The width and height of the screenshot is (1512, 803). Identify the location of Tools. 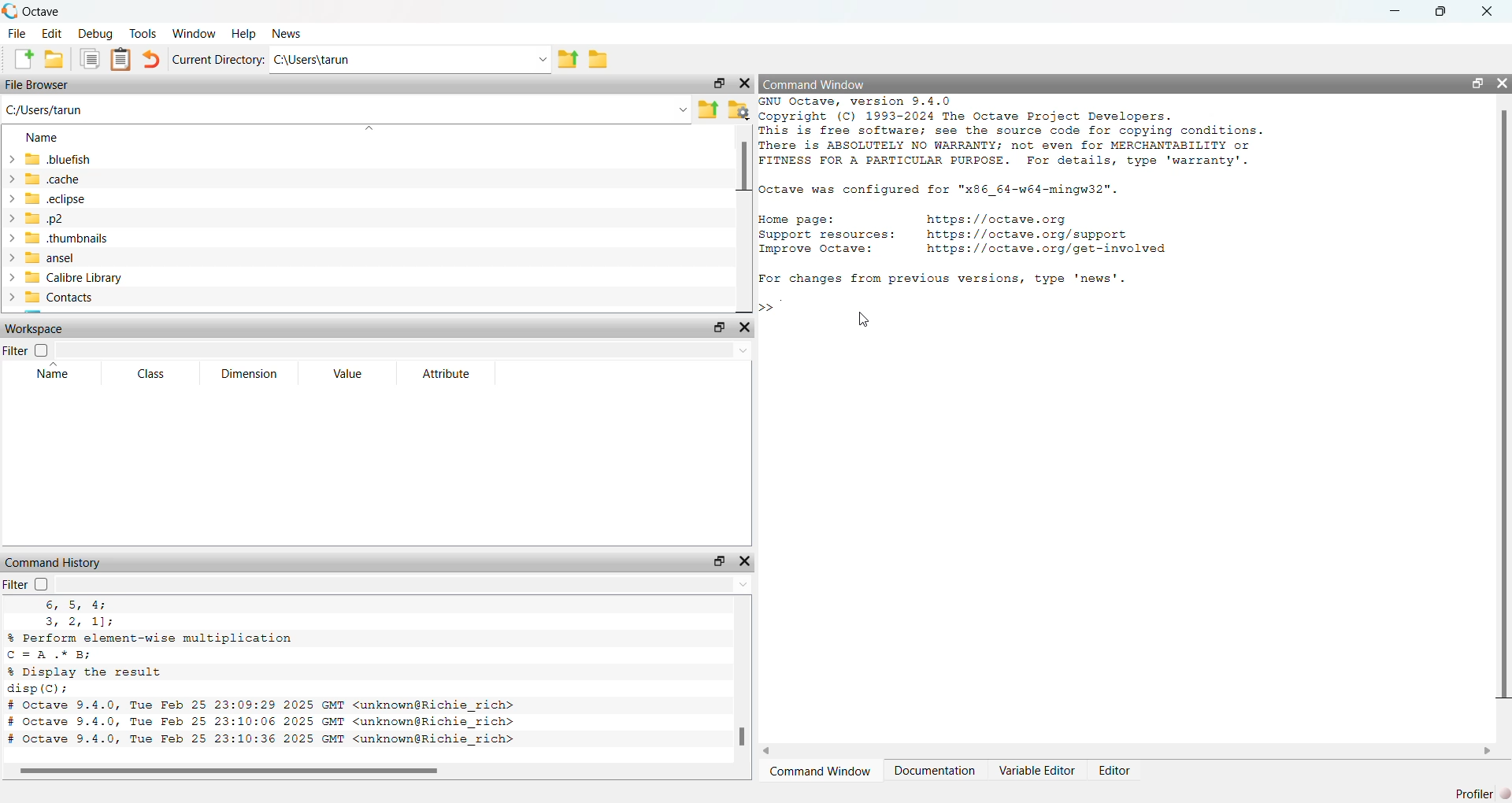
(143, 32).